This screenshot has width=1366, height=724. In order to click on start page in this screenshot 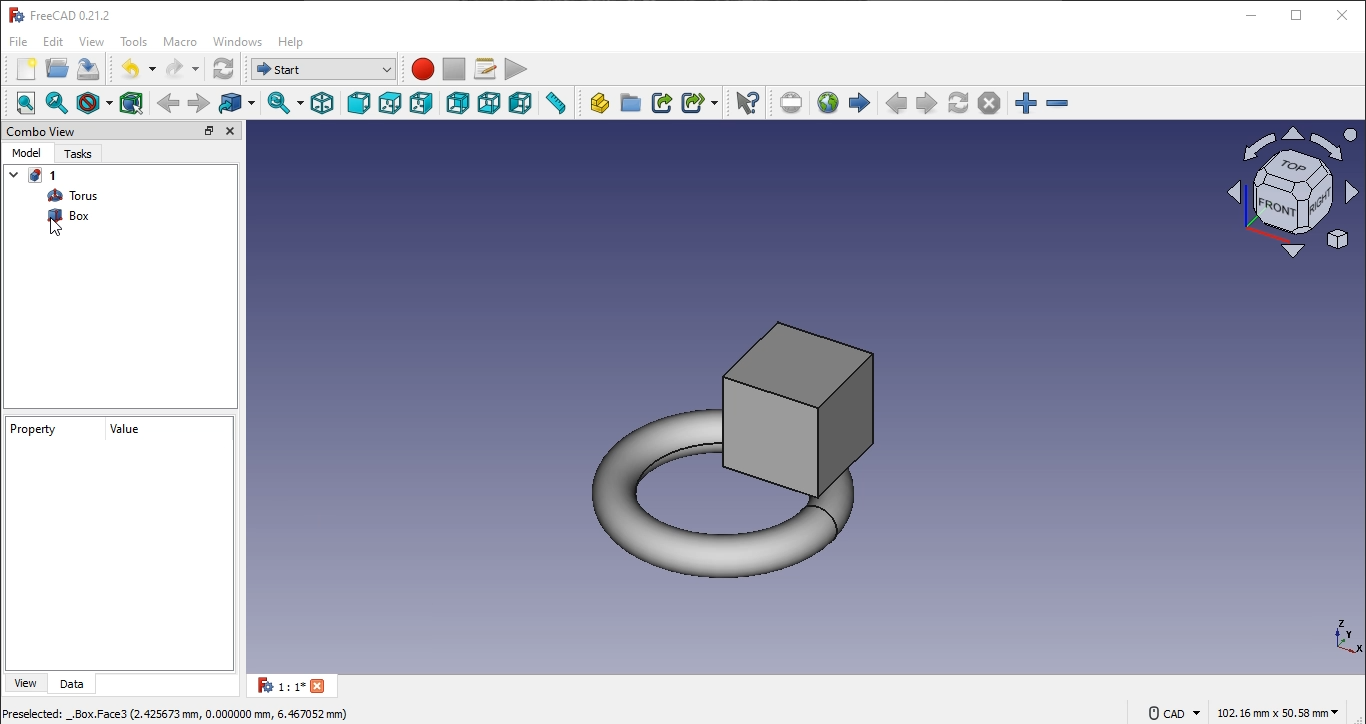, I will do `click(860, 102)`.